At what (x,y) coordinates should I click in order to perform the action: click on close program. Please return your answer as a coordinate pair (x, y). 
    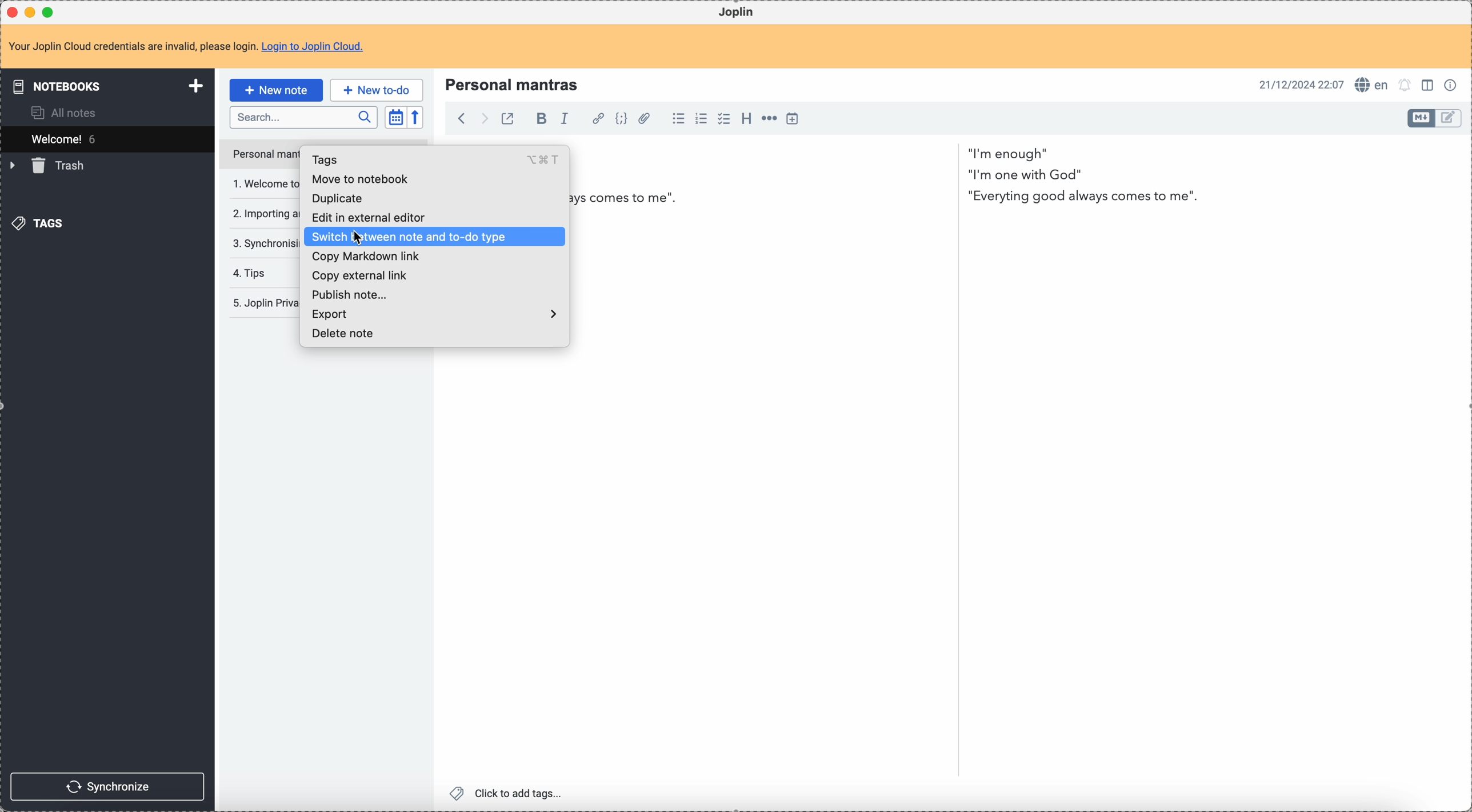
    Looking at the image, I should click on (11, 13).